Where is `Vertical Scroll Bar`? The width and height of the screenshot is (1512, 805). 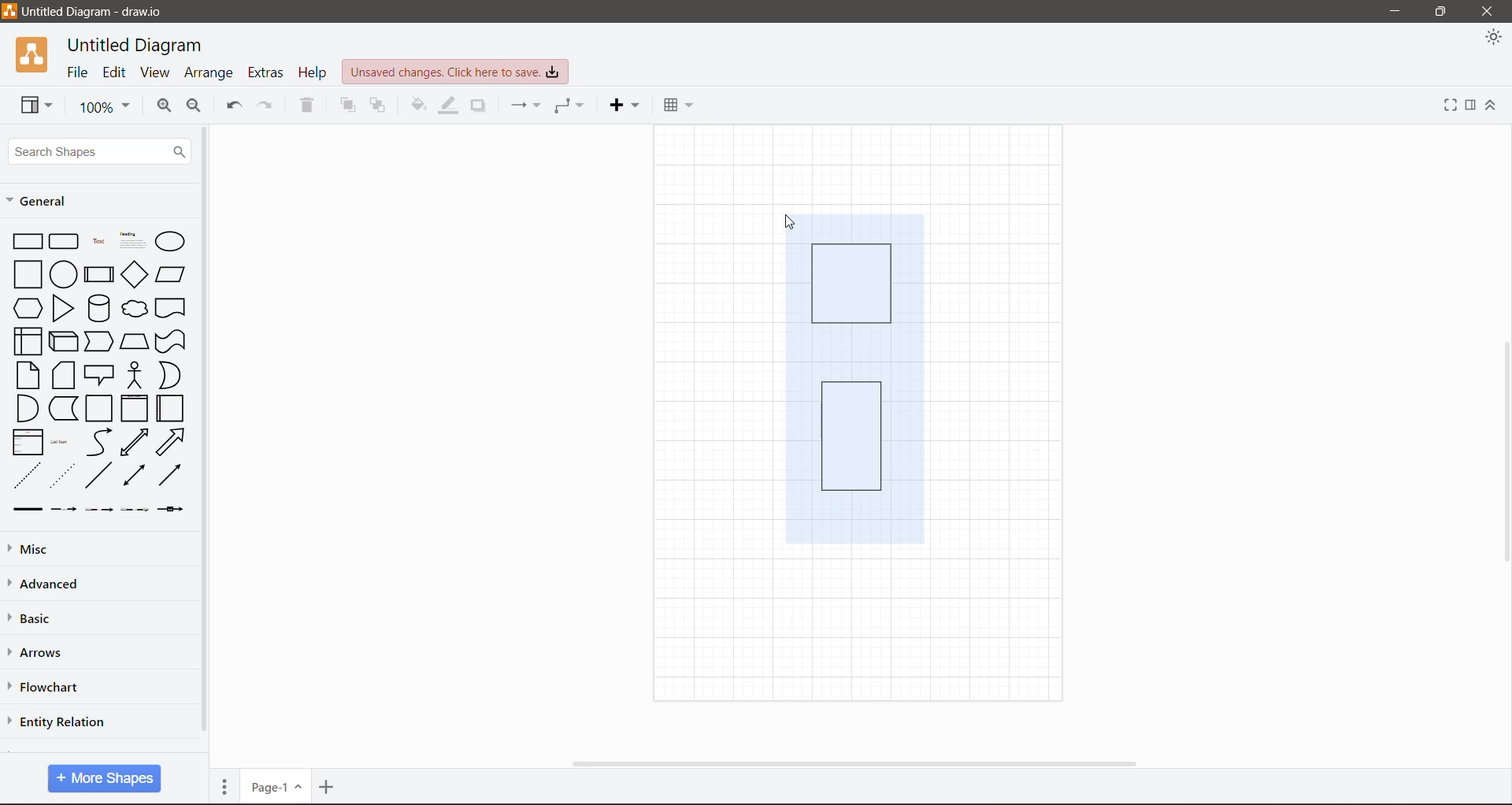
Vertical Scroll Bar is located at coordinates (205, 436).